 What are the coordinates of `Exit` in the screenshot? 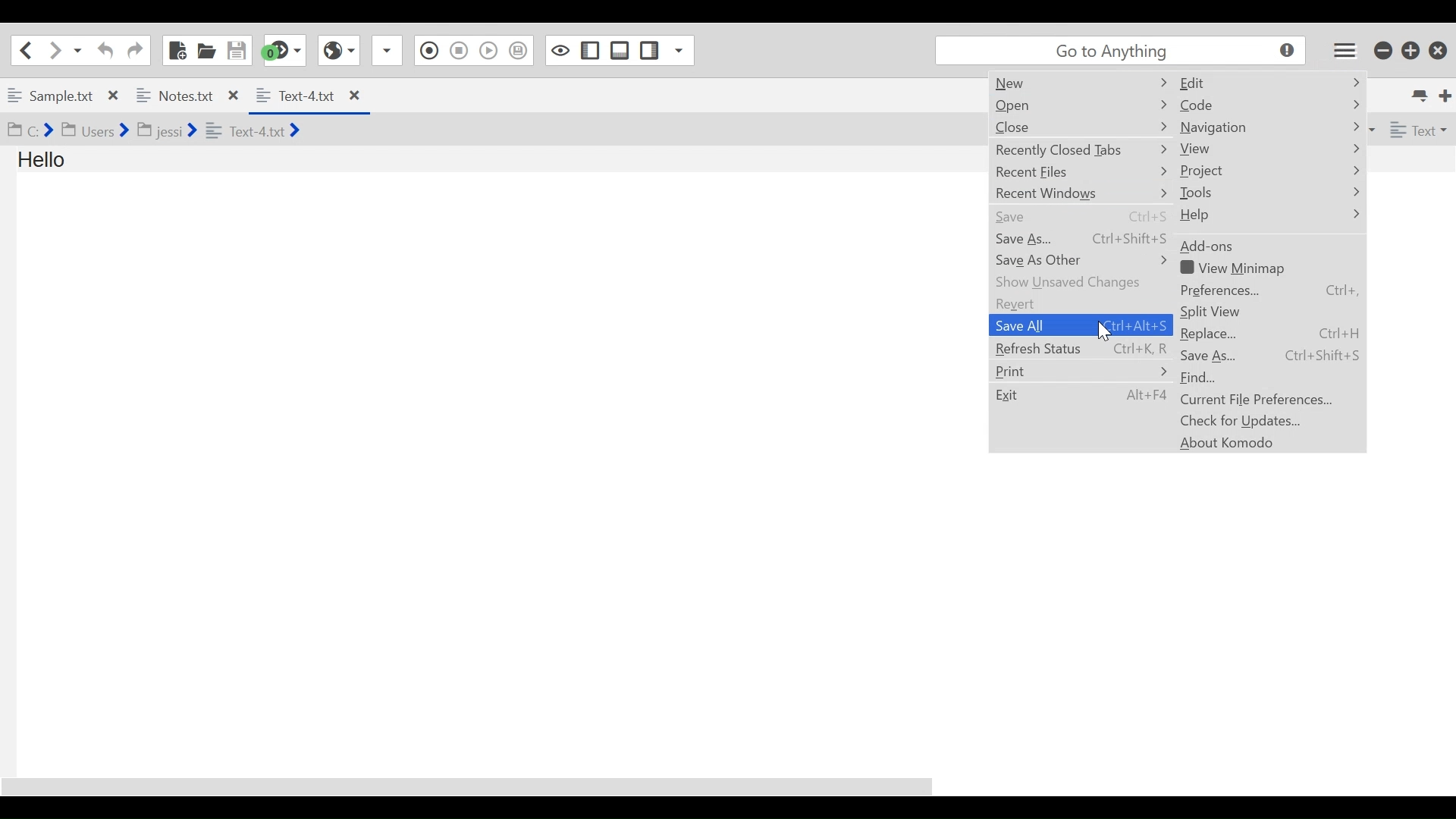 It's located at (1081, 395).